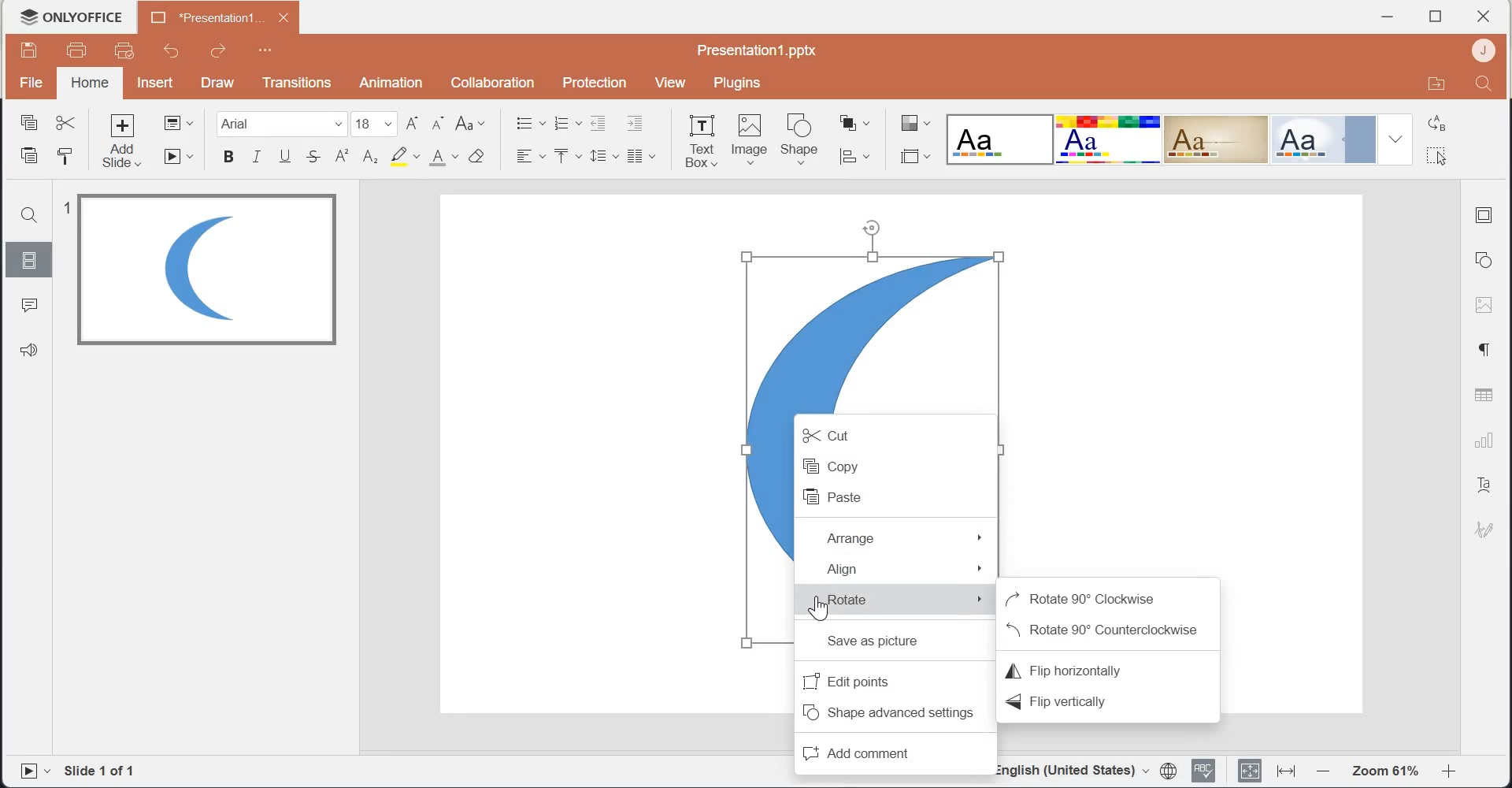  What do you see at coordinates (1170, 770) in the screenshot?
I see `Set document language` at bounding box center [1170, 770].